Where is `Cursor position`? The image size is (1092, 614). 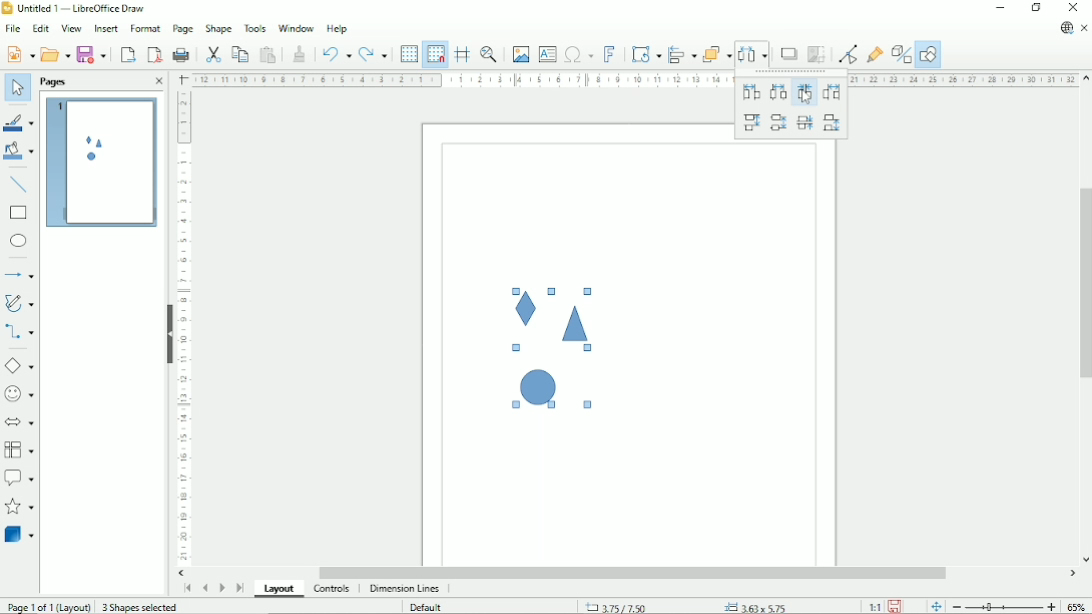
Cursor position is located at coordinates (689, 606).